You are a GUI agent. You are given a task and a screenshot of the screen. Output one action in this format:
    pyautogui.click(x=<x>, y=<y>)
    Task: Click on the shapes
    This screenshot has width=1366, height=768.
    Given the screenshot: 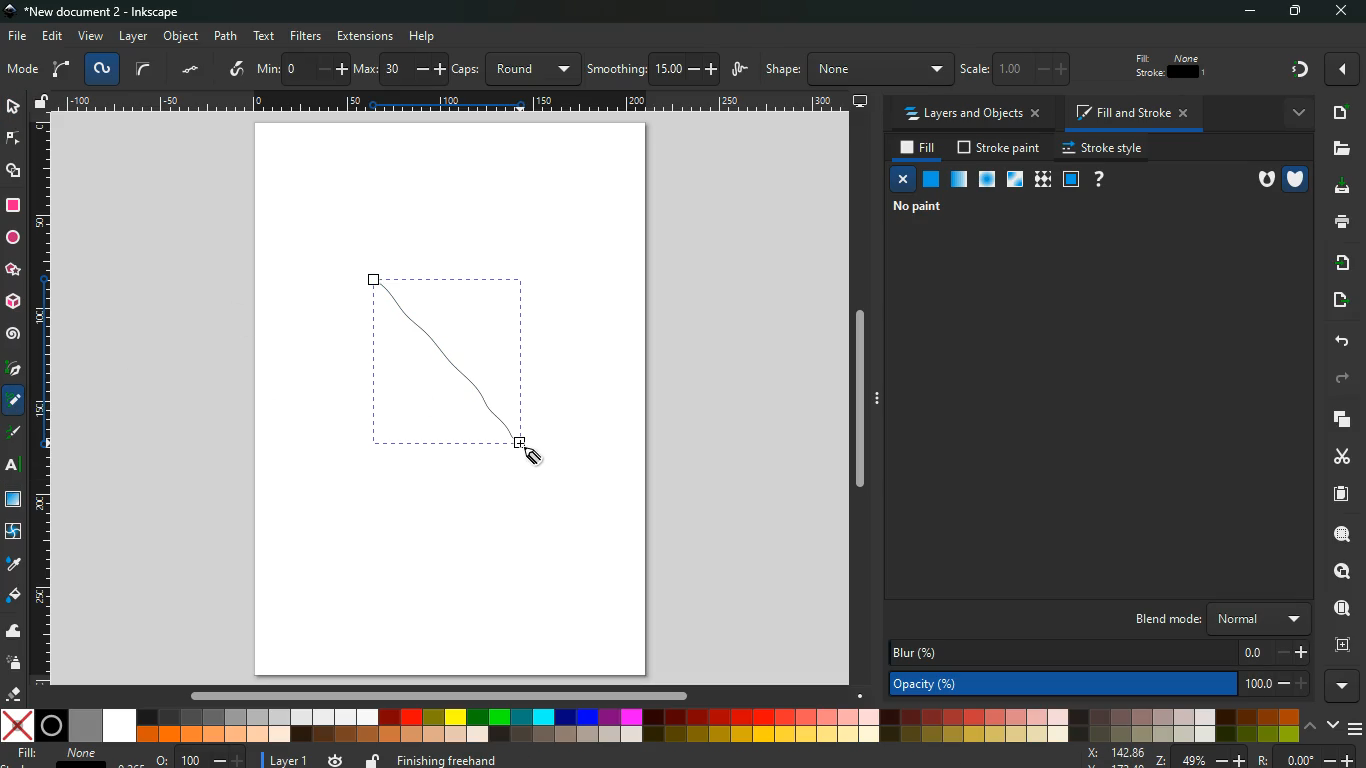 What is the action you would take?
    pyautogui.click(x=15, y=173)
    